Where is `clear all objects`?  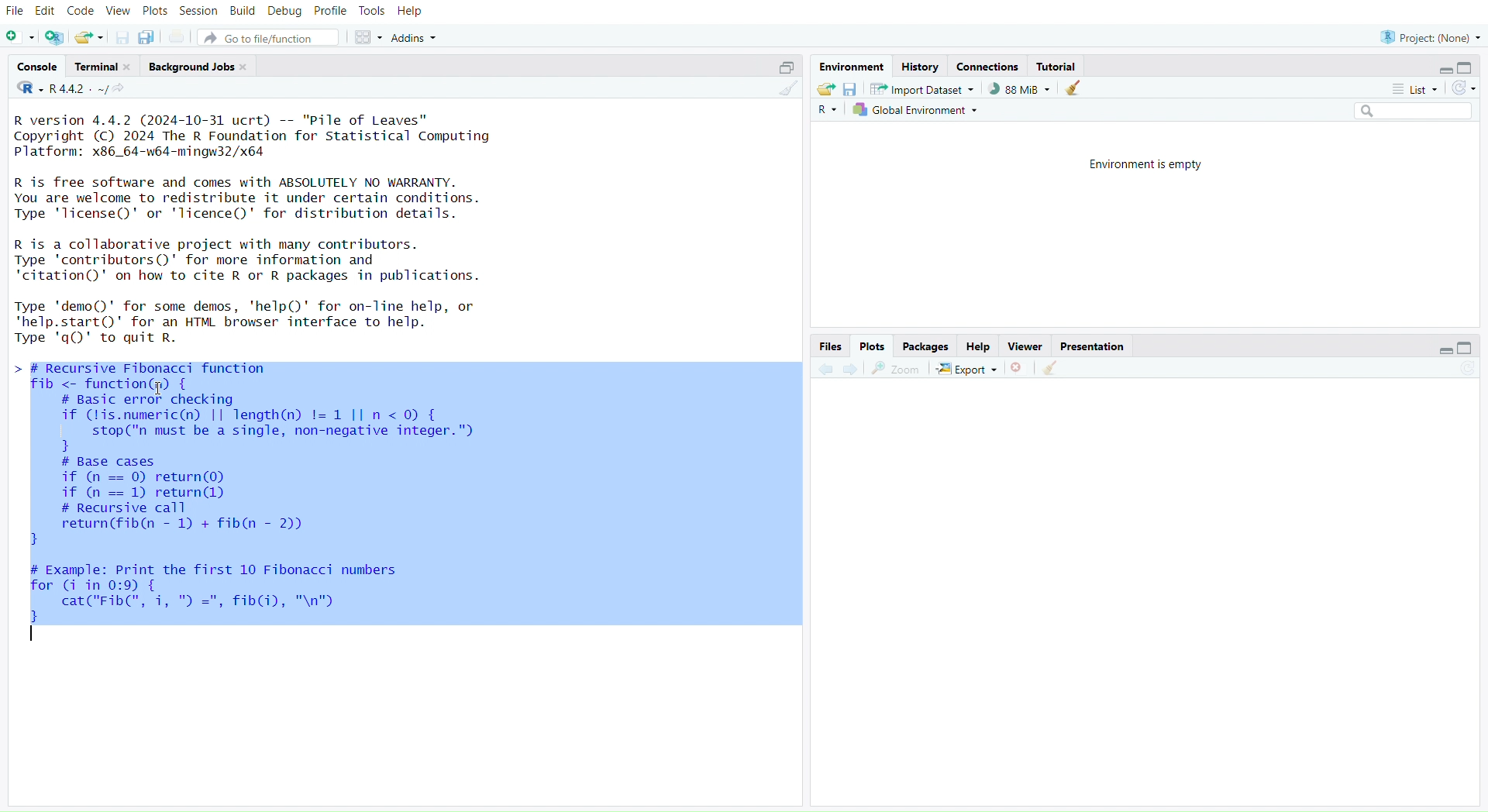 clear all objects is located at coordinates (1073, 89).